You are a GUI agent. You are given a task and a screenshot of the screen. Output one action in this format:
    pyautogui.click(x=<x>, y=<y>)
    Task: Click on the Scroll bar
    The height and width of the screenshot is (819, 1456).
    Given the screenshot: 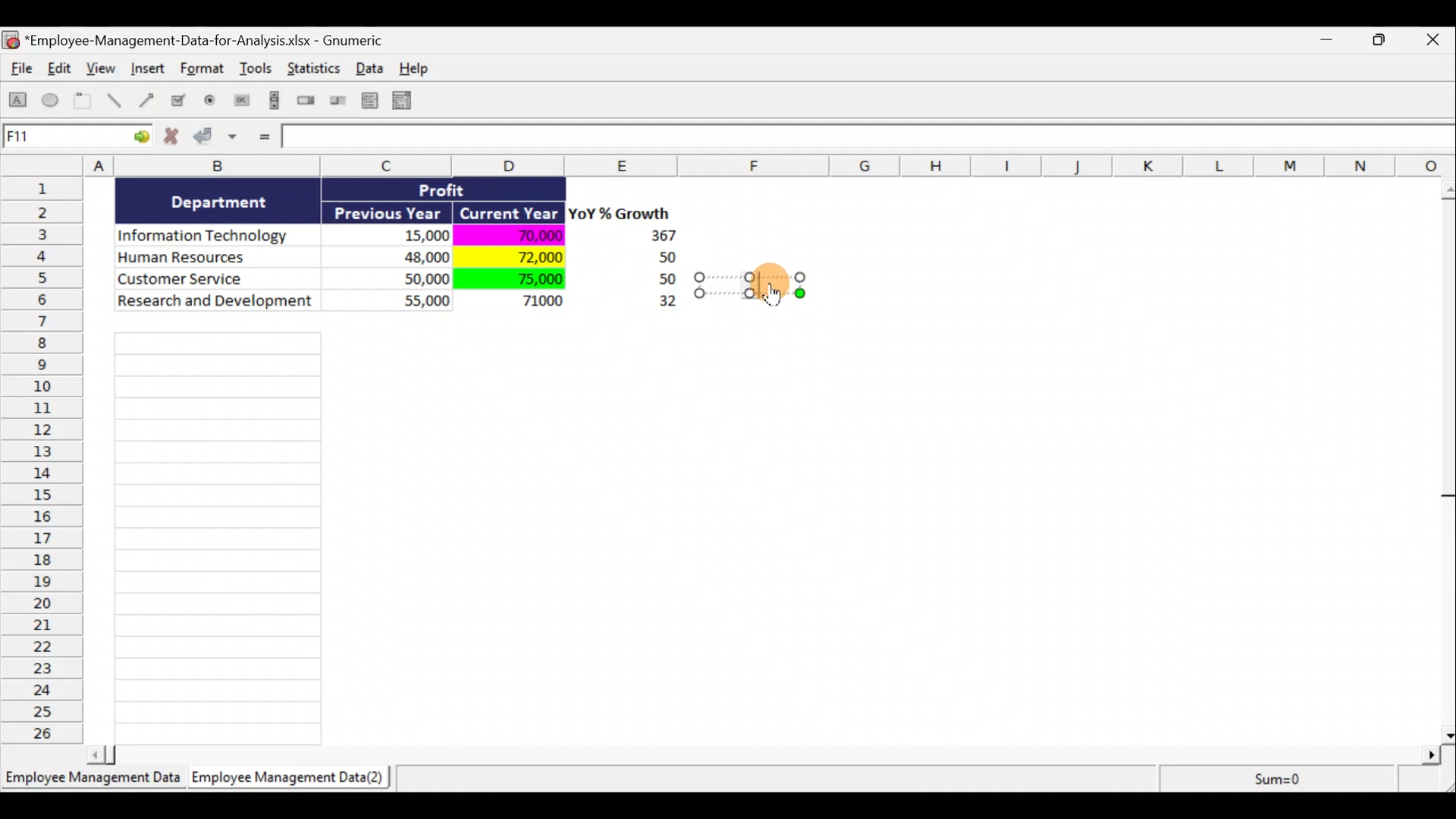 What is the action you would take?
    pyautogui.click(x=769, y=752)
    